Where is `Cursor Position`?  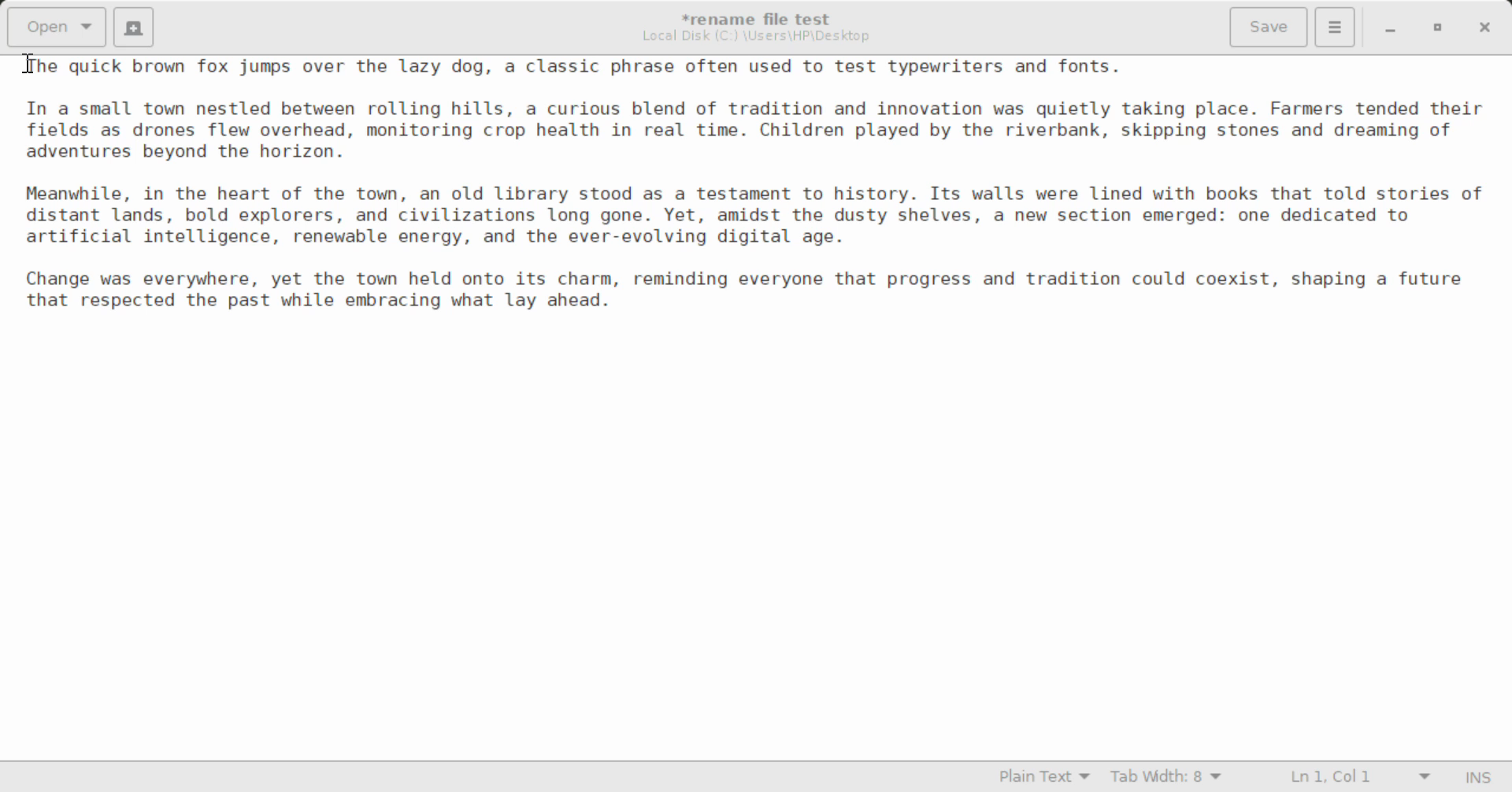 Cursor Position is located at coordinates (30, 65).